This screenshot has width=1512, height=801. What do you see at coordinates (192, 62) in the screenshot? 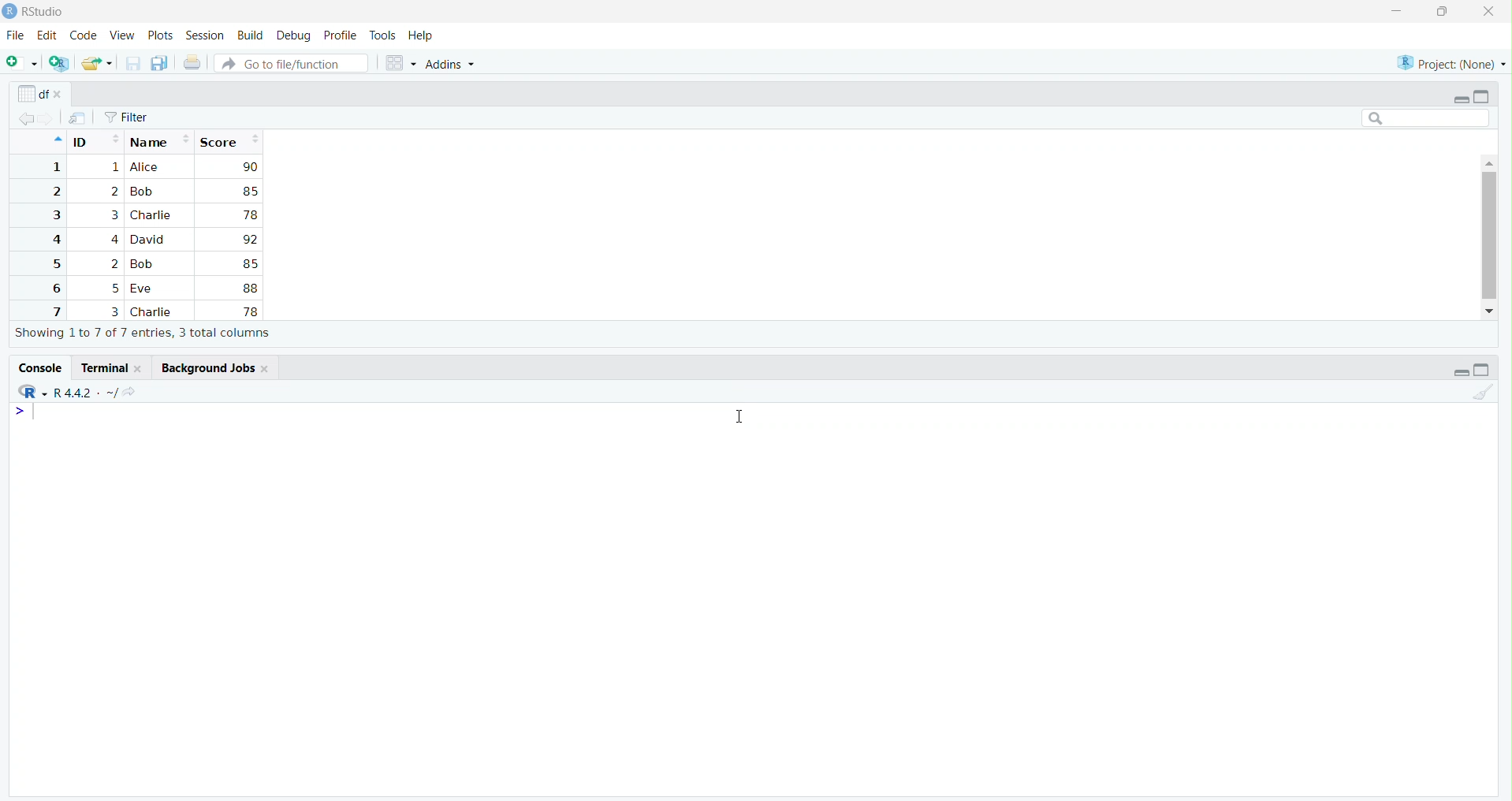
I see `print` at bounding box center [192, 62].